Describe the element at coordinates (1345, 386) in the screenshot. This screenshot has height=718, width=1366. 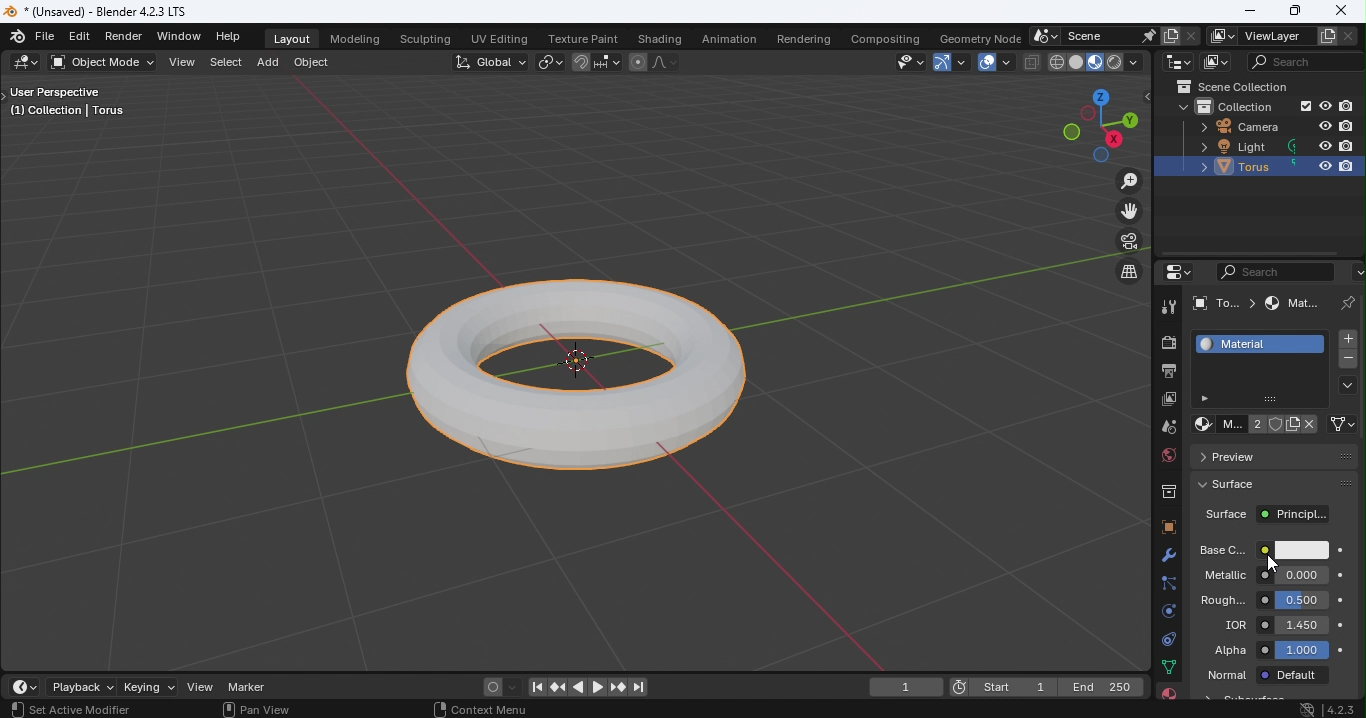
I see `Material specials` at that location.